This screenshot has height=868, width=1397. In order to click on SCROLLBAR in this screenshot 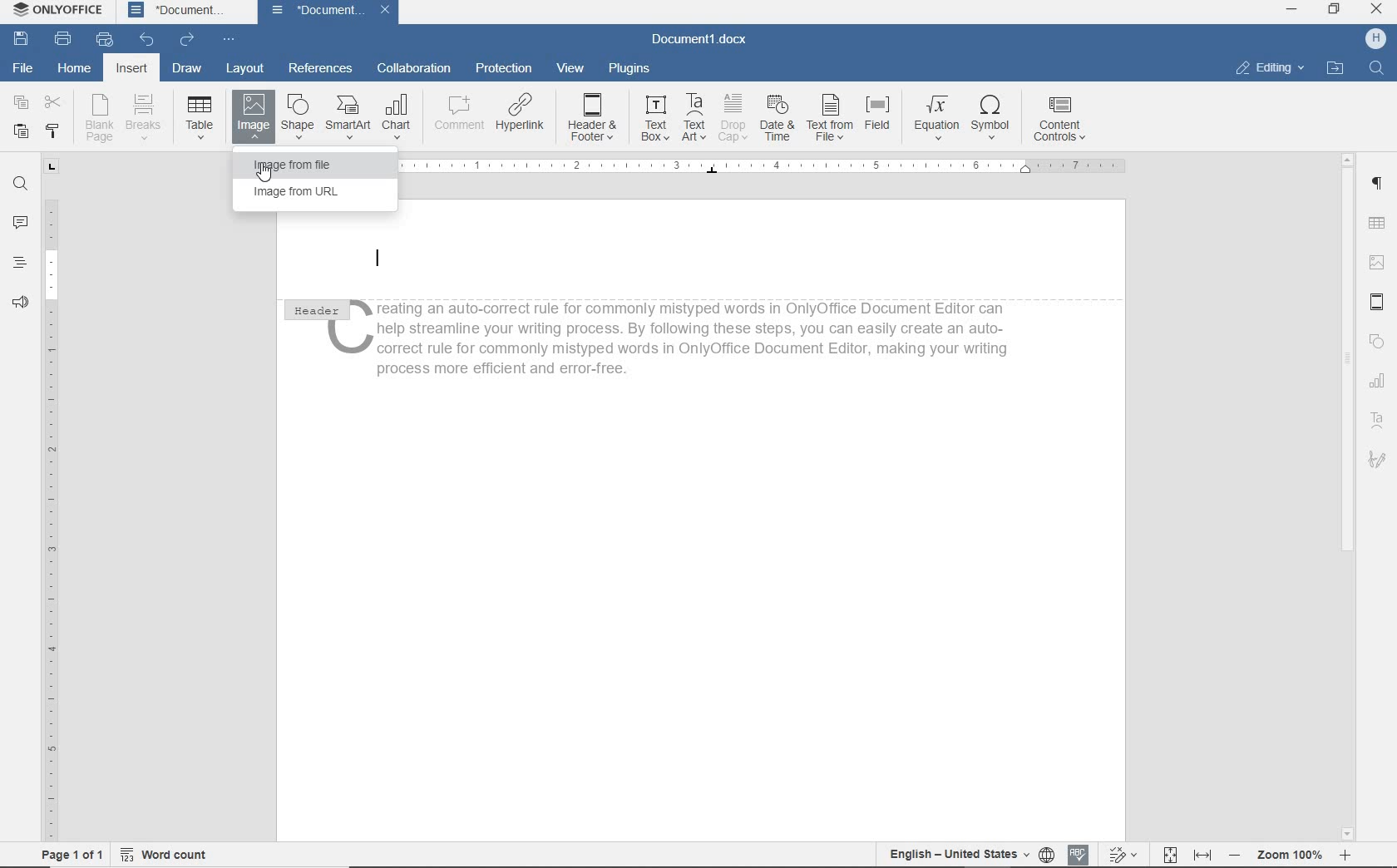, I will do `click(1348, 496)`.